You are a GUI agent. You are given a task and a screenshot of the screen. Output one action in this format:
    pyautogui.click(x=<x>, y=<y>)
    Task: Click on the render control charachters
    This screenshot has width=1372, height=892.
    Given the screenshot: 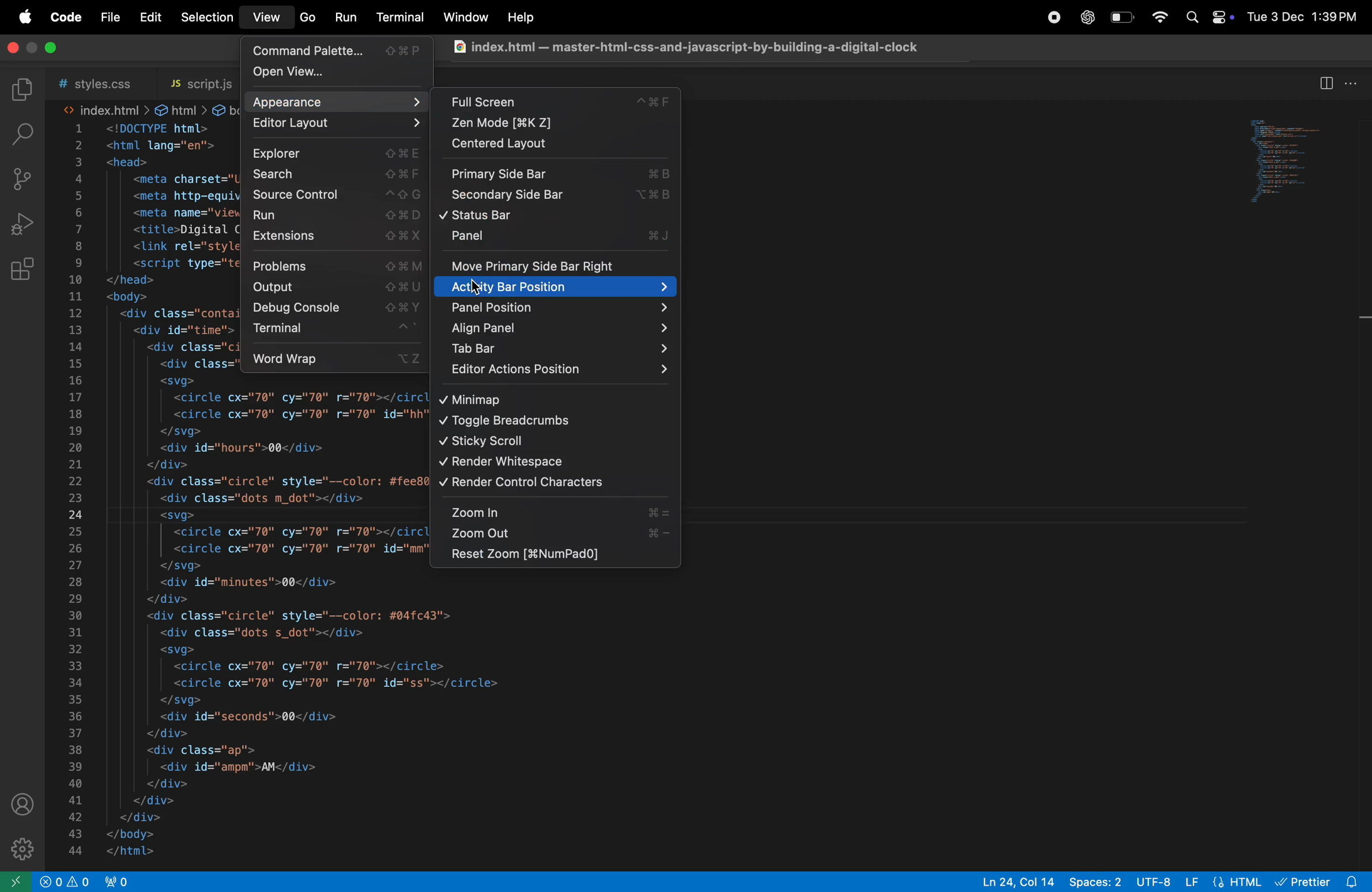 What is the action you would take?
    pyautogui.click(x=556, y=484)
    